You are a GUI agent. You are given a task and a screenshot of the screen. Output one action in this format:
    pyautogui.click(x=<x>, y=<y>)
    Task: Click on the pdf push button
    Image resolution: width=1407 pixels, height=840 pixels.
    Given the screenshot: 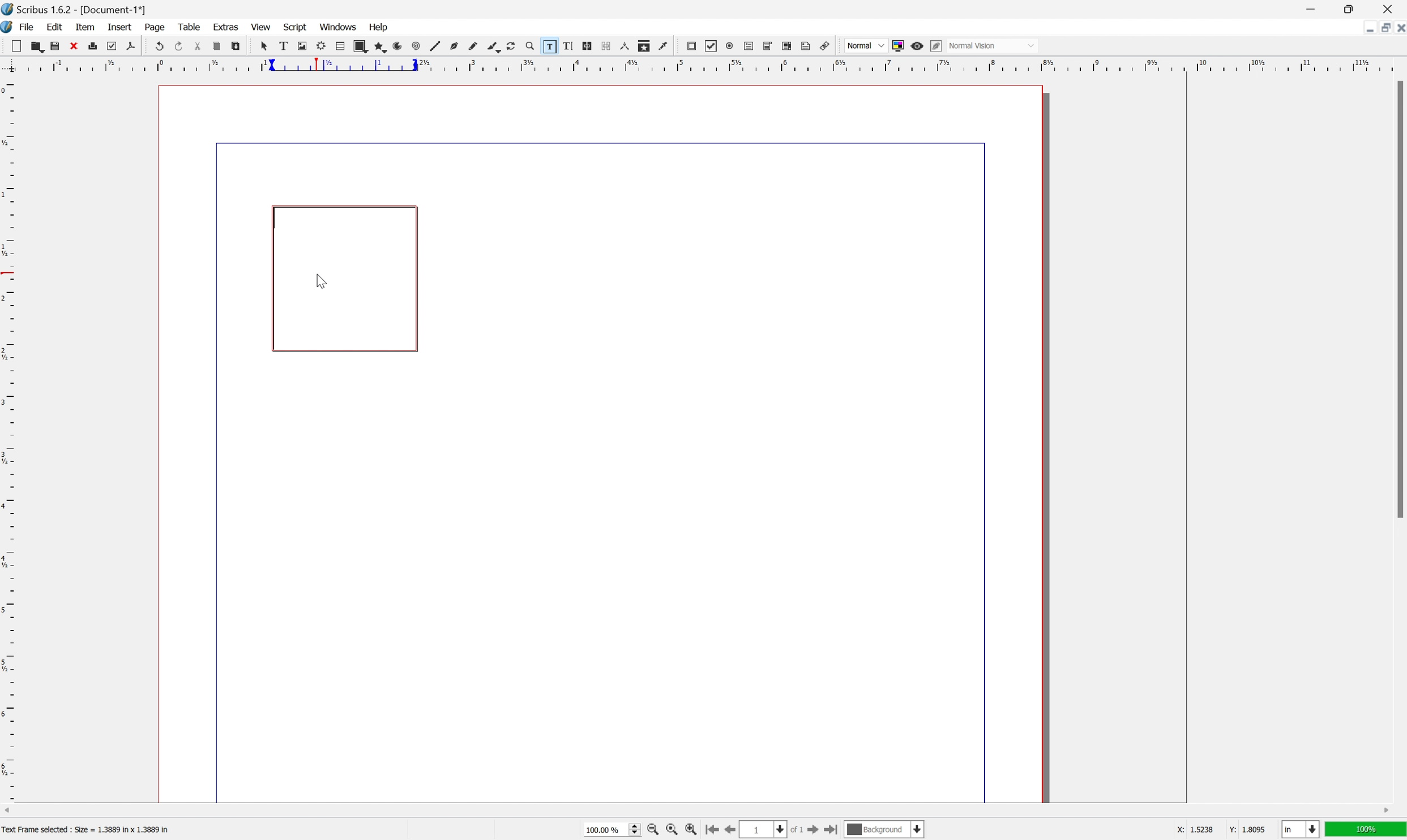 What is the action you would take?
    pyautogui.click(x=691, y=46)
    